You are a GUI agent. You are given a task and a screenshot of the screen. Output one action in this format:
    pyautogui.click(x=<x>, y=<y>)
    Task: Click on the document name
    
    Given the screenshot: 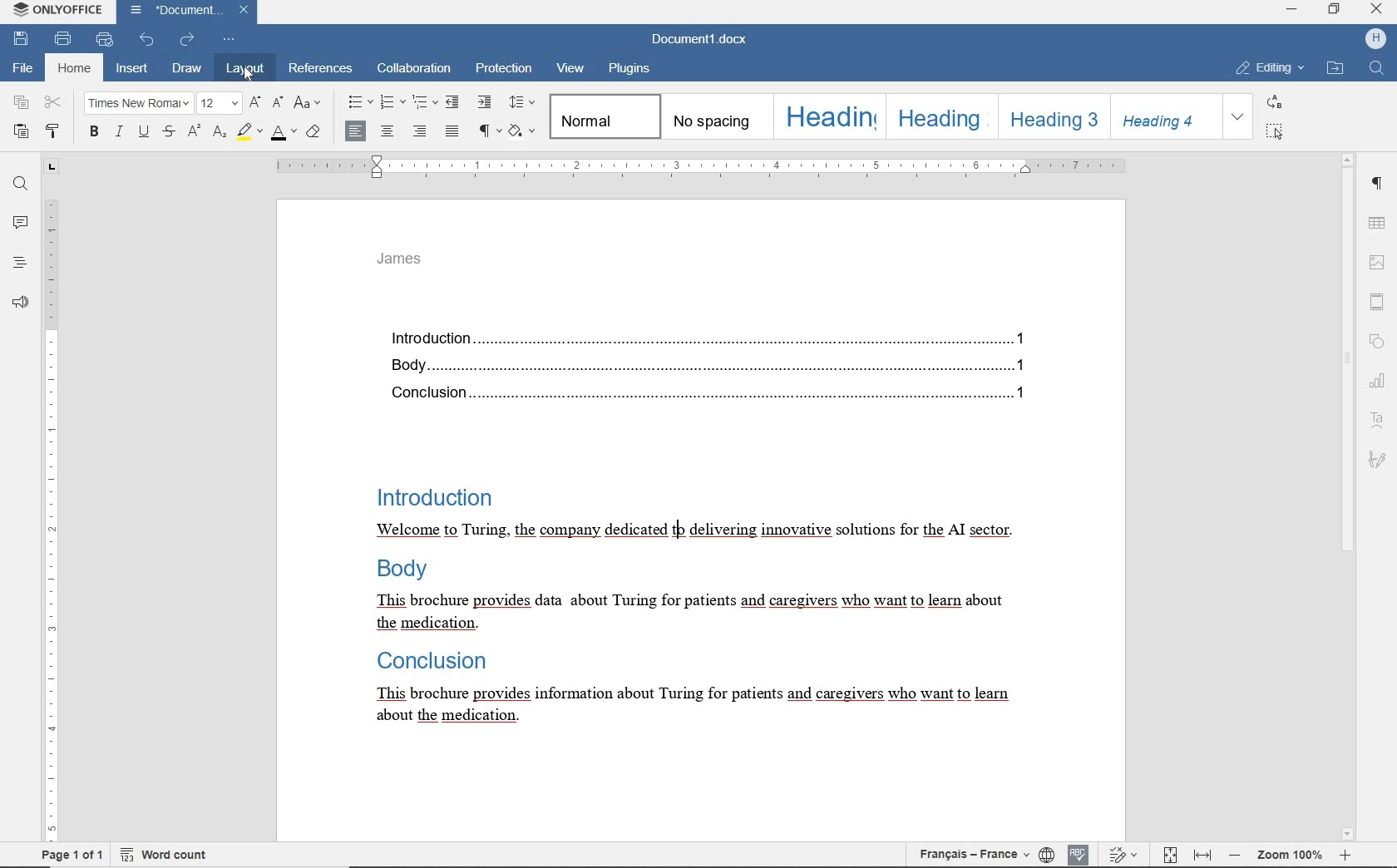 What is the action you would take?
    pyautogui.click(x=175, y=12)
    